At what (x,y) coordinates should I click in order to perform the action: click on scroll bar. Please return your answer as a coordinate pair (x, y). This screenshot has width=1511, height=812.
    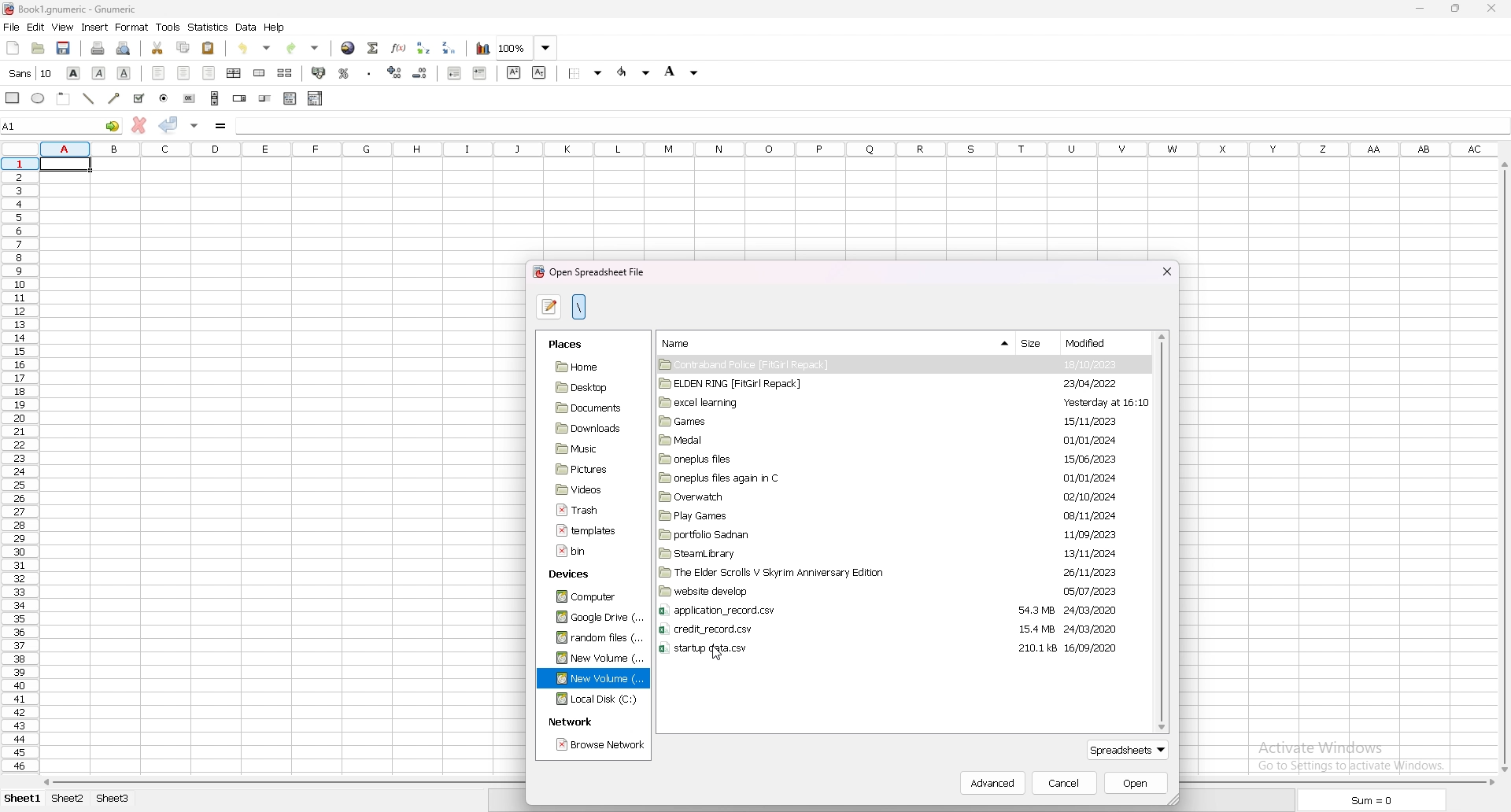
    Looking at the image, I should click on (215, 98).